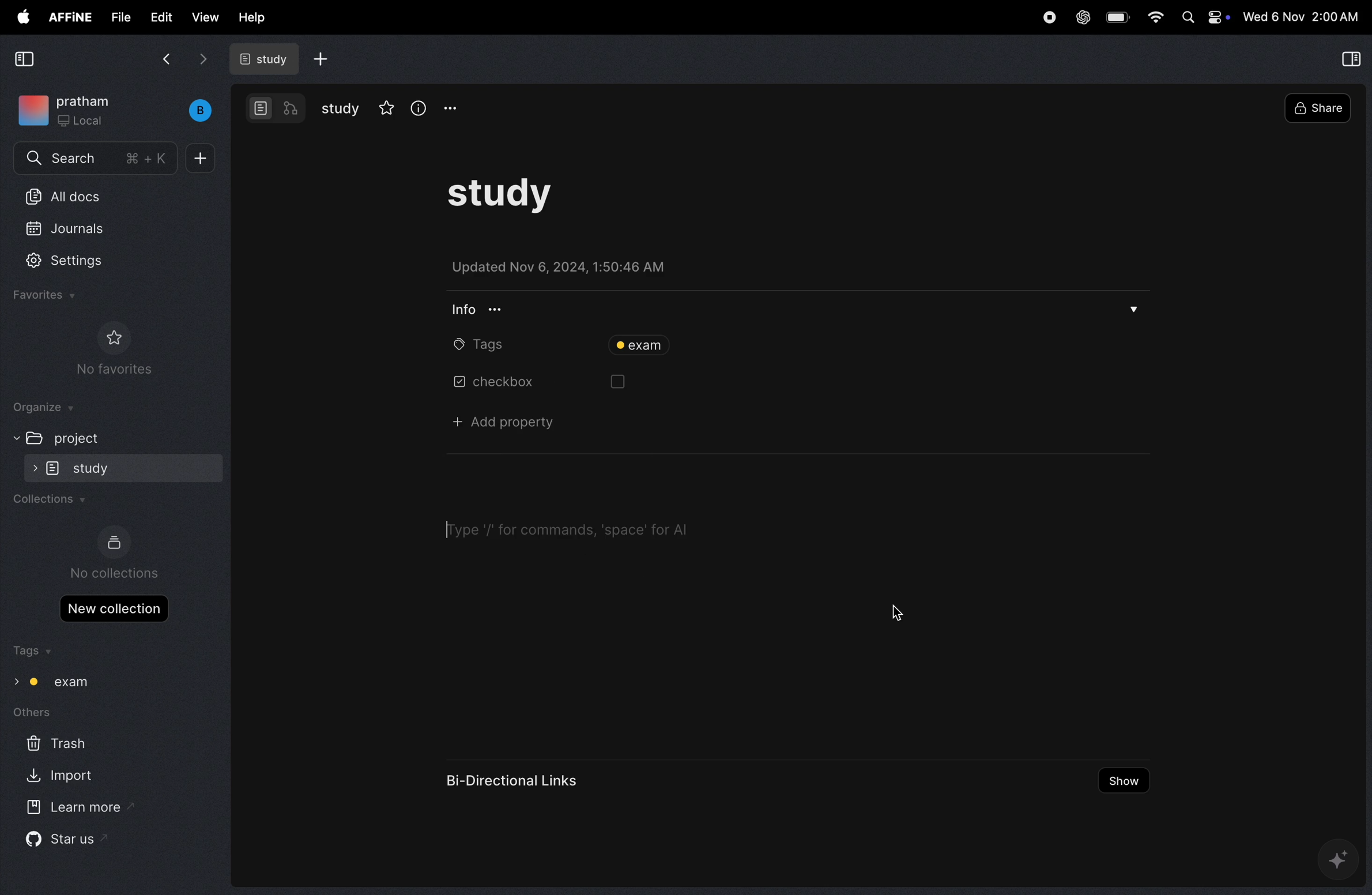 Image resolution: width=1372 pixels, height=895 pixels. I want to click on add, so click(325, 59).